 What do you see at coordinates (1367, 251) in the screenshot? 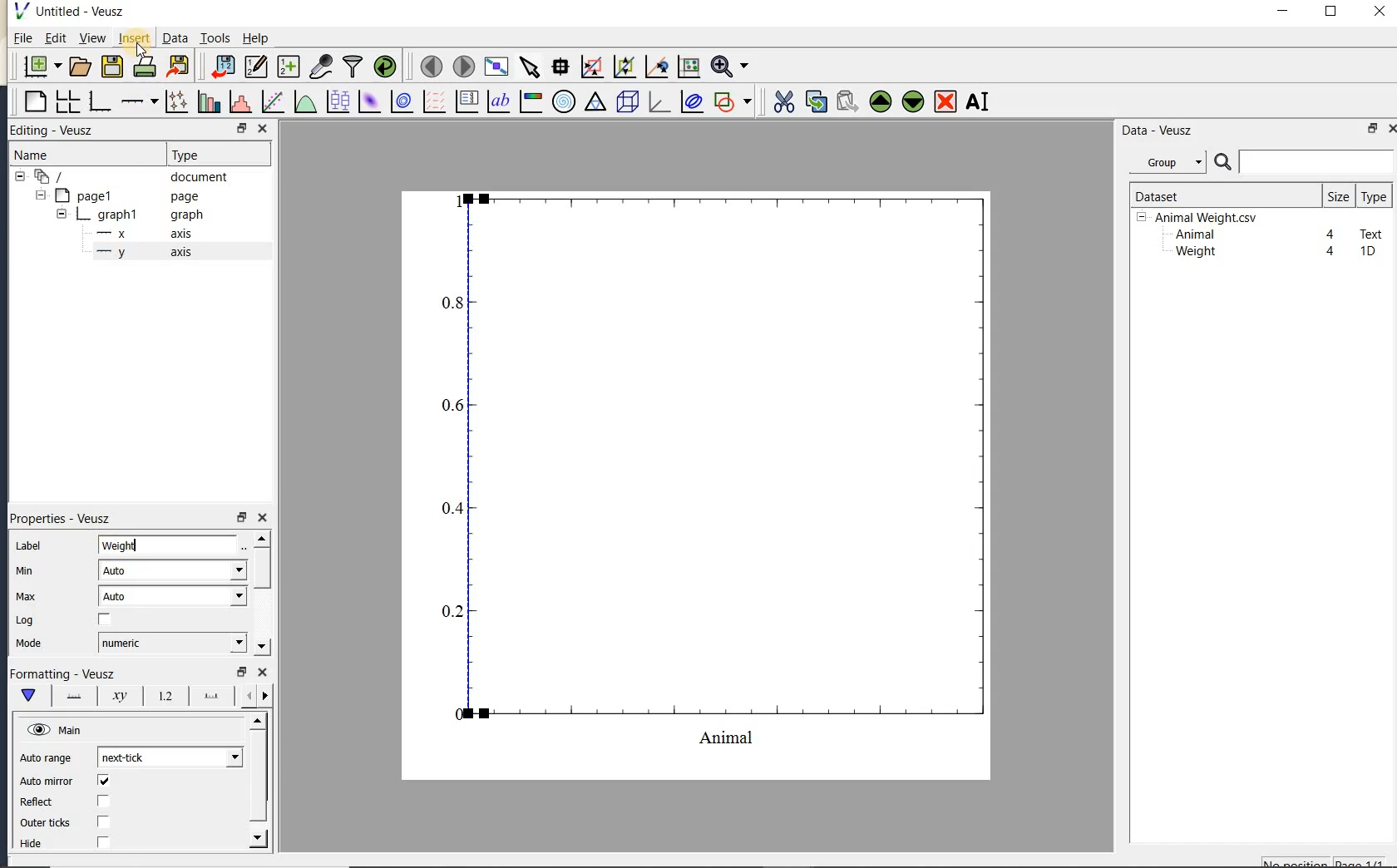
I see `1D` at bounding box center [1367, 251].